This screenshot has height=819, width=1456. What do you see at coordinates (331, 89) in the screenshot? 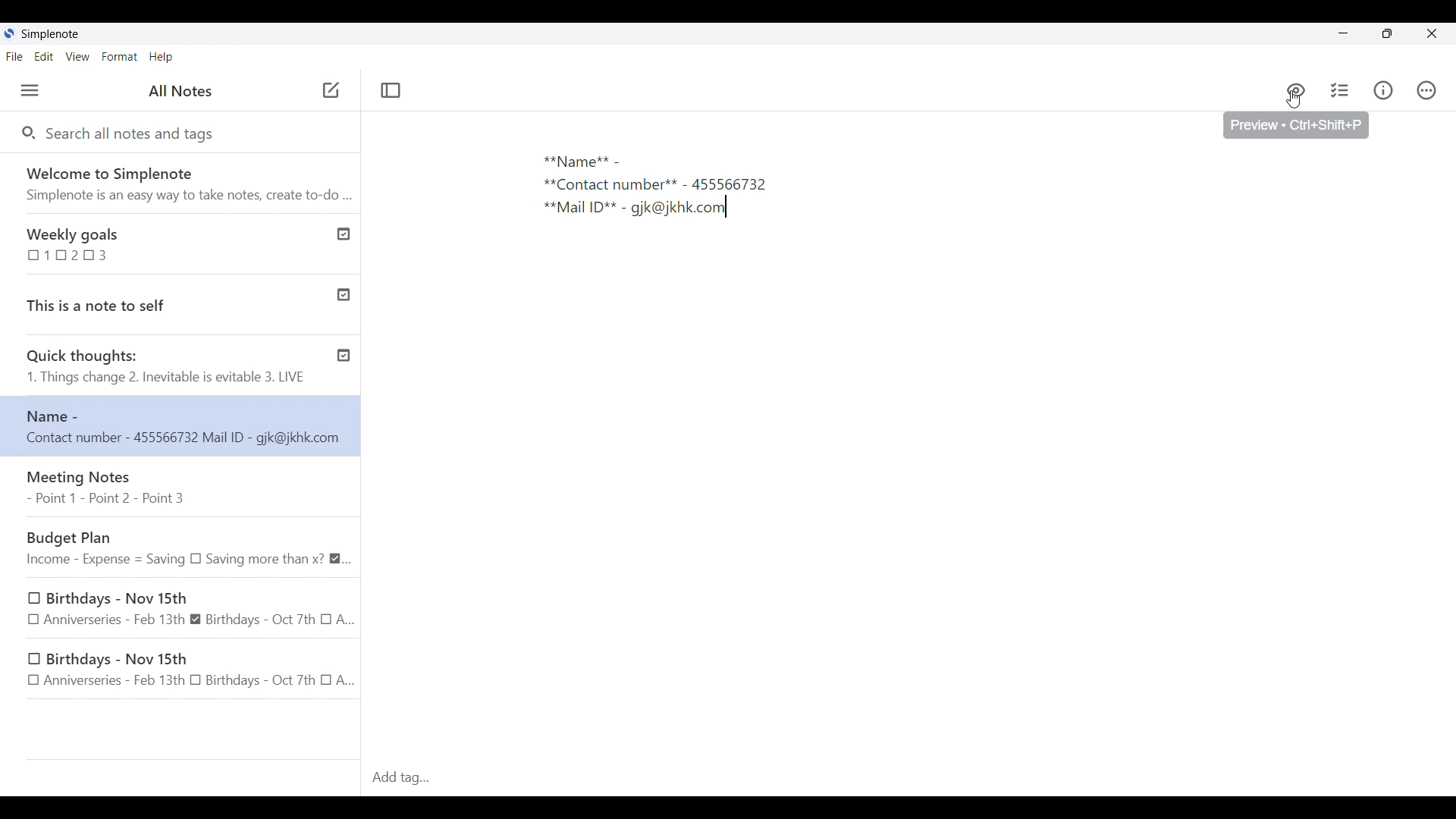
I see `Add new note` at bounding box center [331, 89].